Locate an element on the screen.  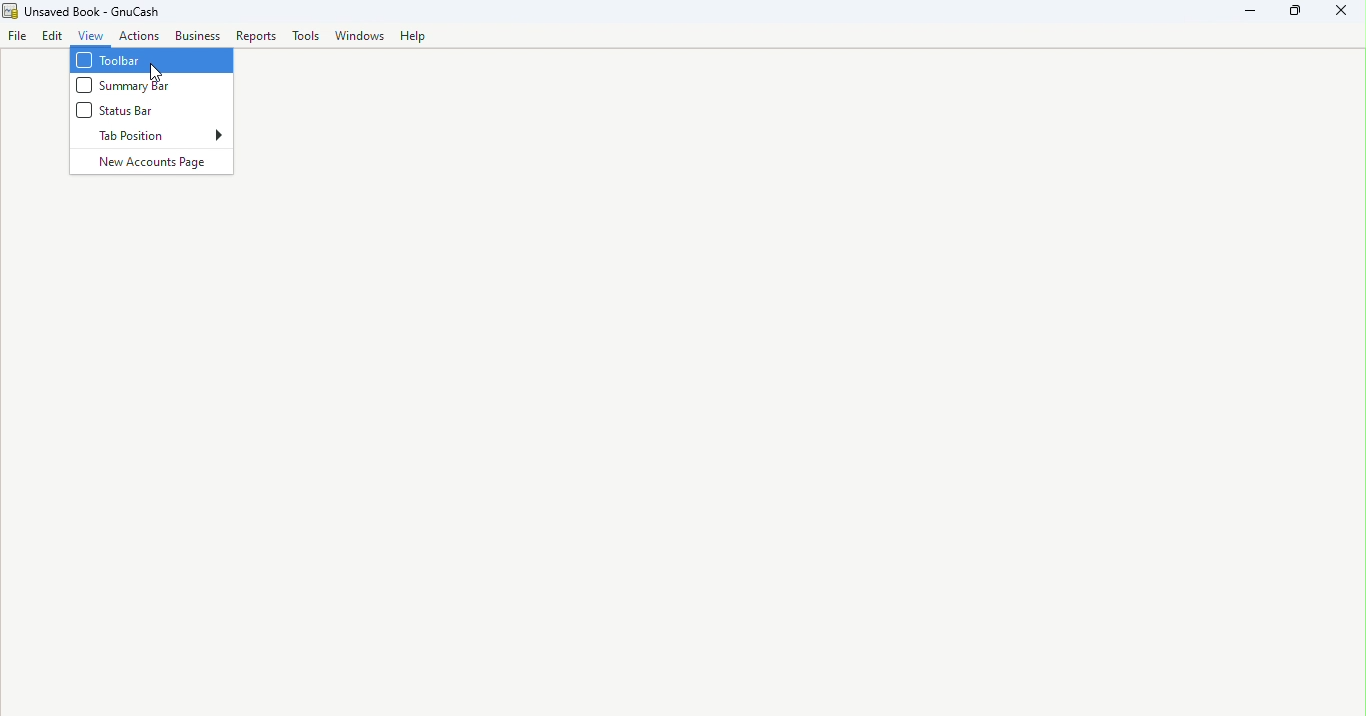
Cursor is located at coordinates (155, 77).